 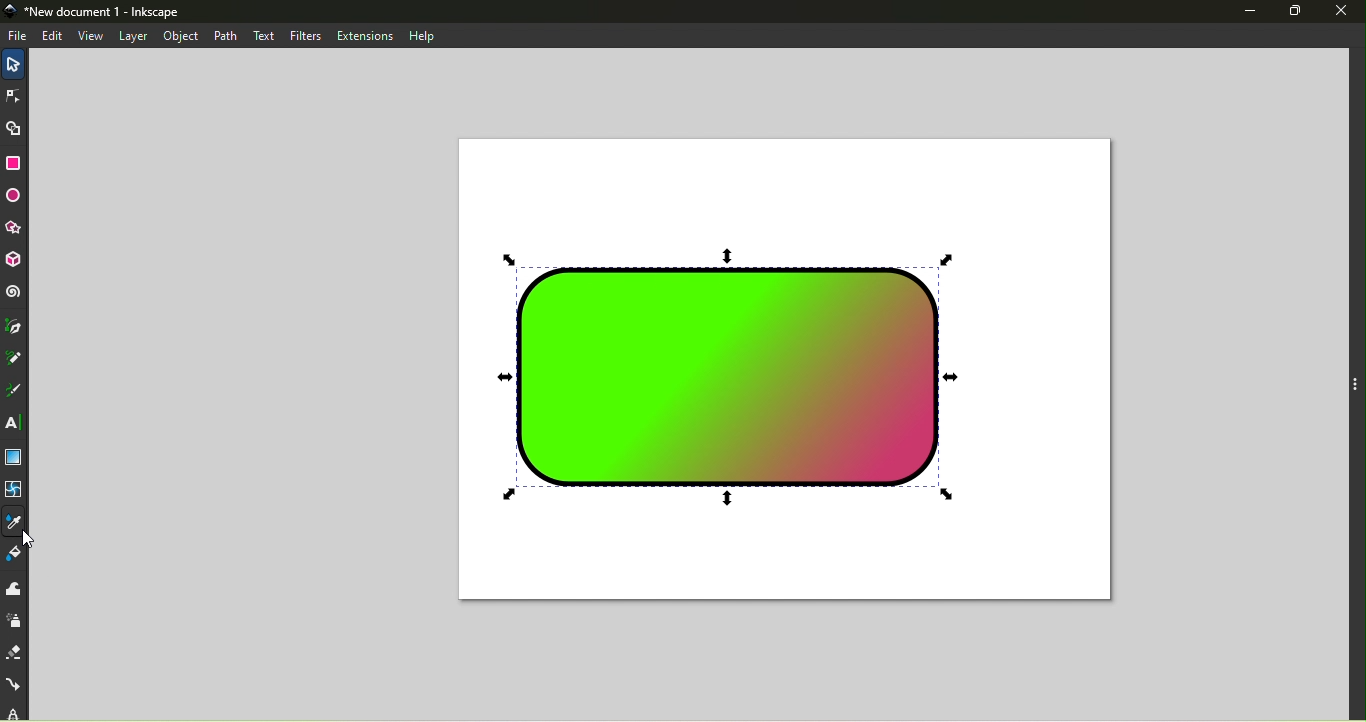 I want to click on Help, so click(x=422, y=35).